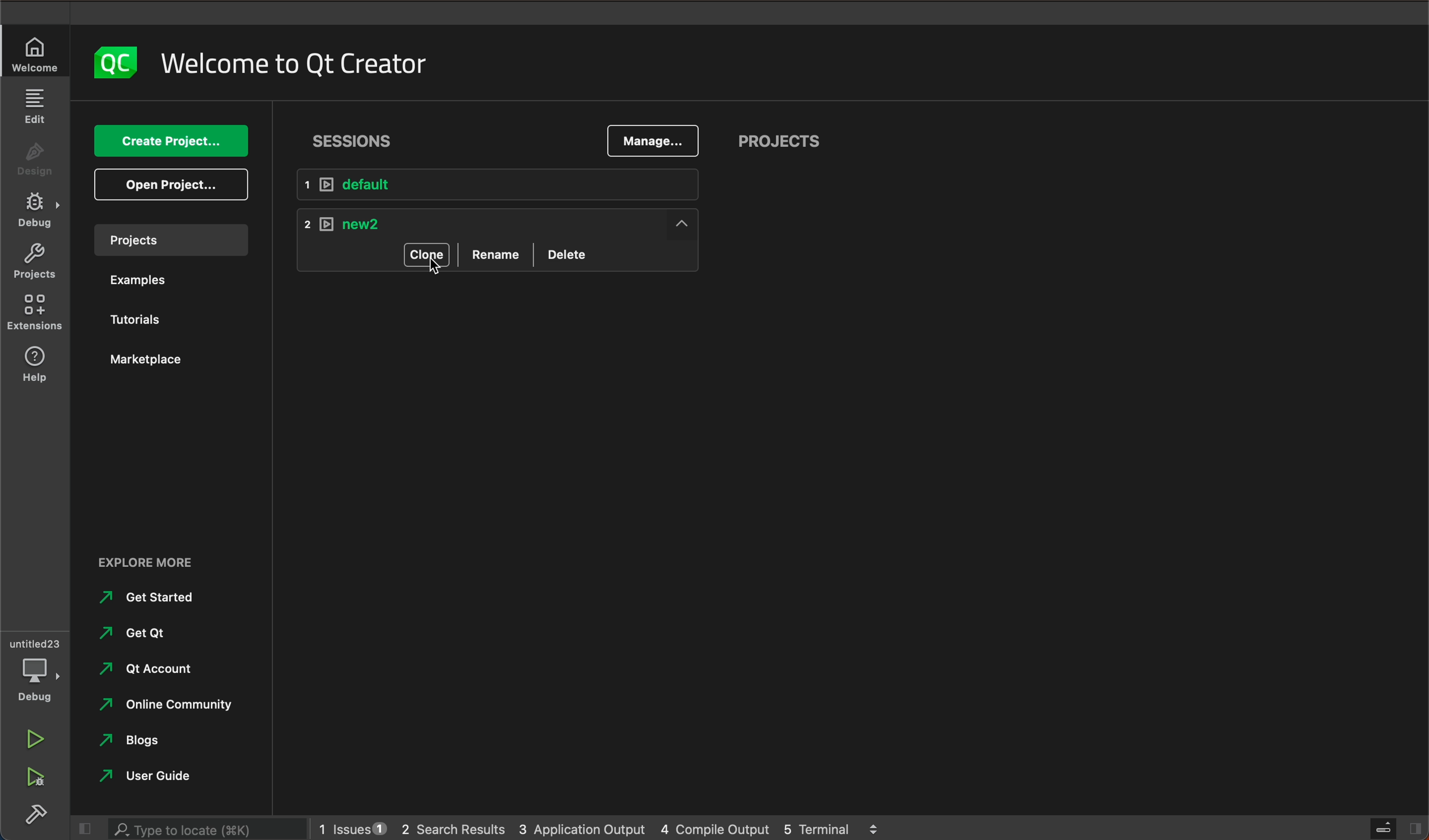 This screenshot has height=840, width=1429. I want to click on project, so click(168, 238).